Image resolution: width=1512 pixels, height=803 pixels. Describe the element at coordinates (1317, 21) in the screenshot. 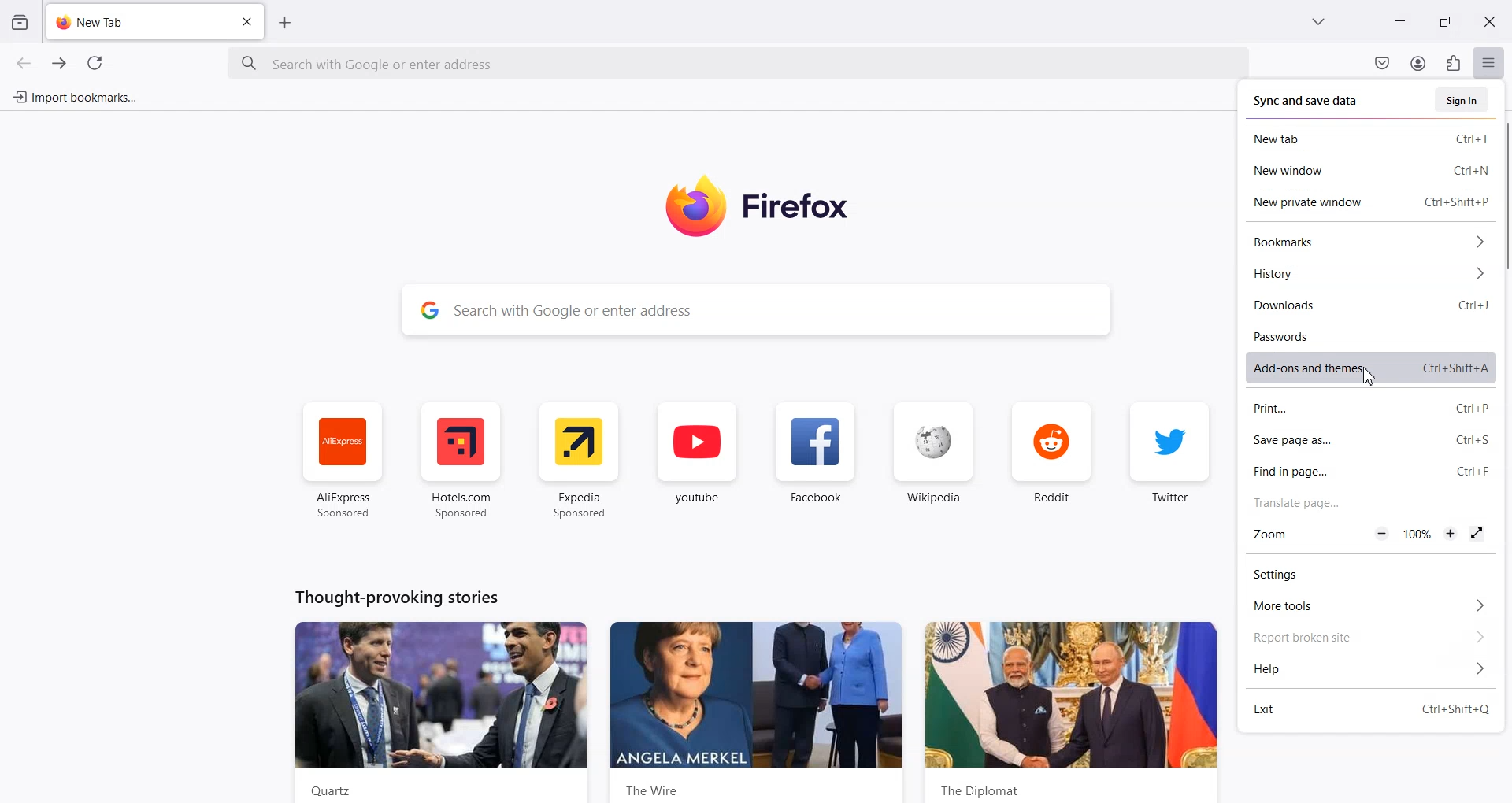

I see `List all Tab` at that location.